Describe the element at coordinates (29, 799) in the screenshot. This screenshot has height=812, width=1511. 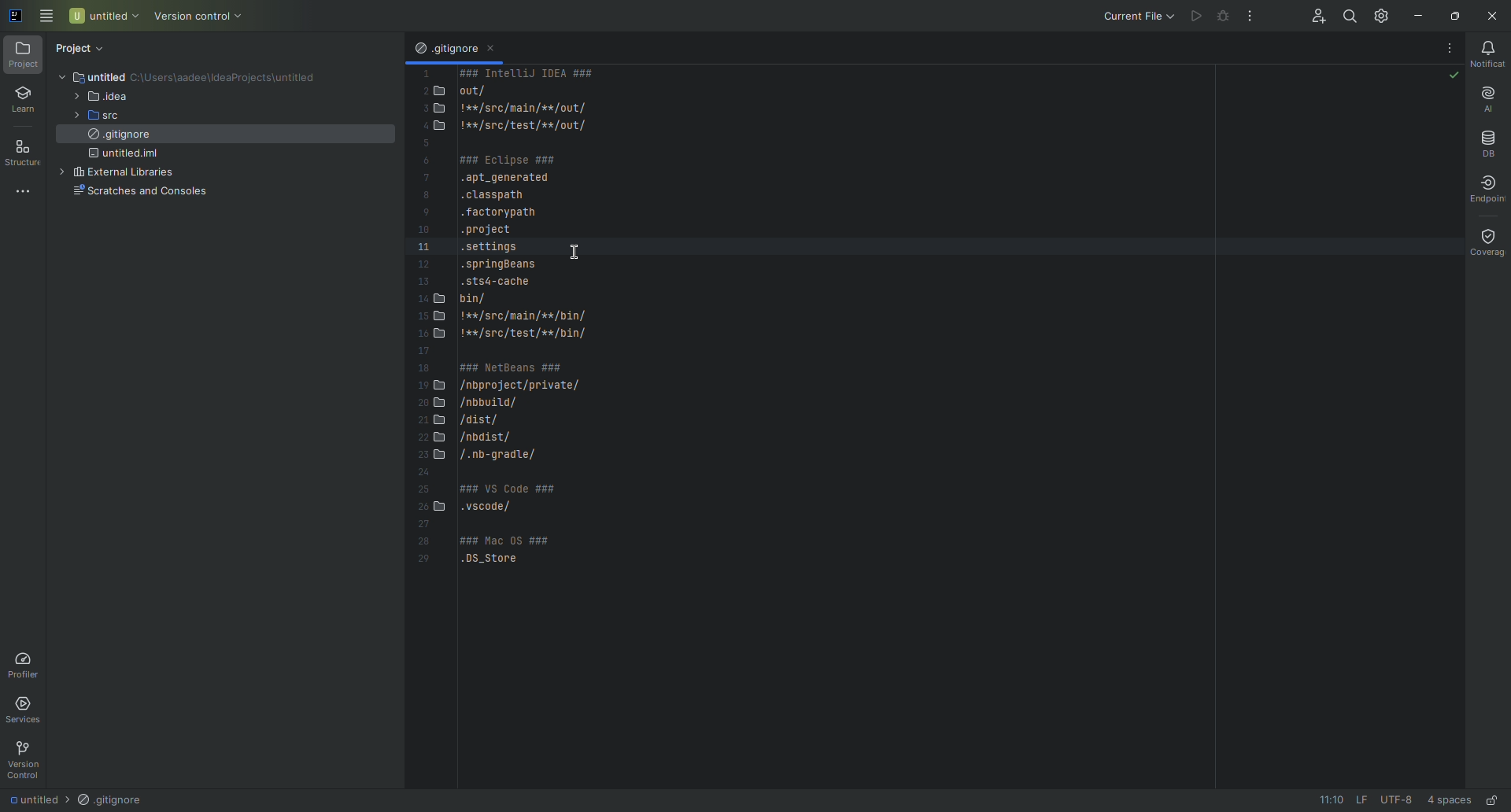
I see `Untitled` at that location.